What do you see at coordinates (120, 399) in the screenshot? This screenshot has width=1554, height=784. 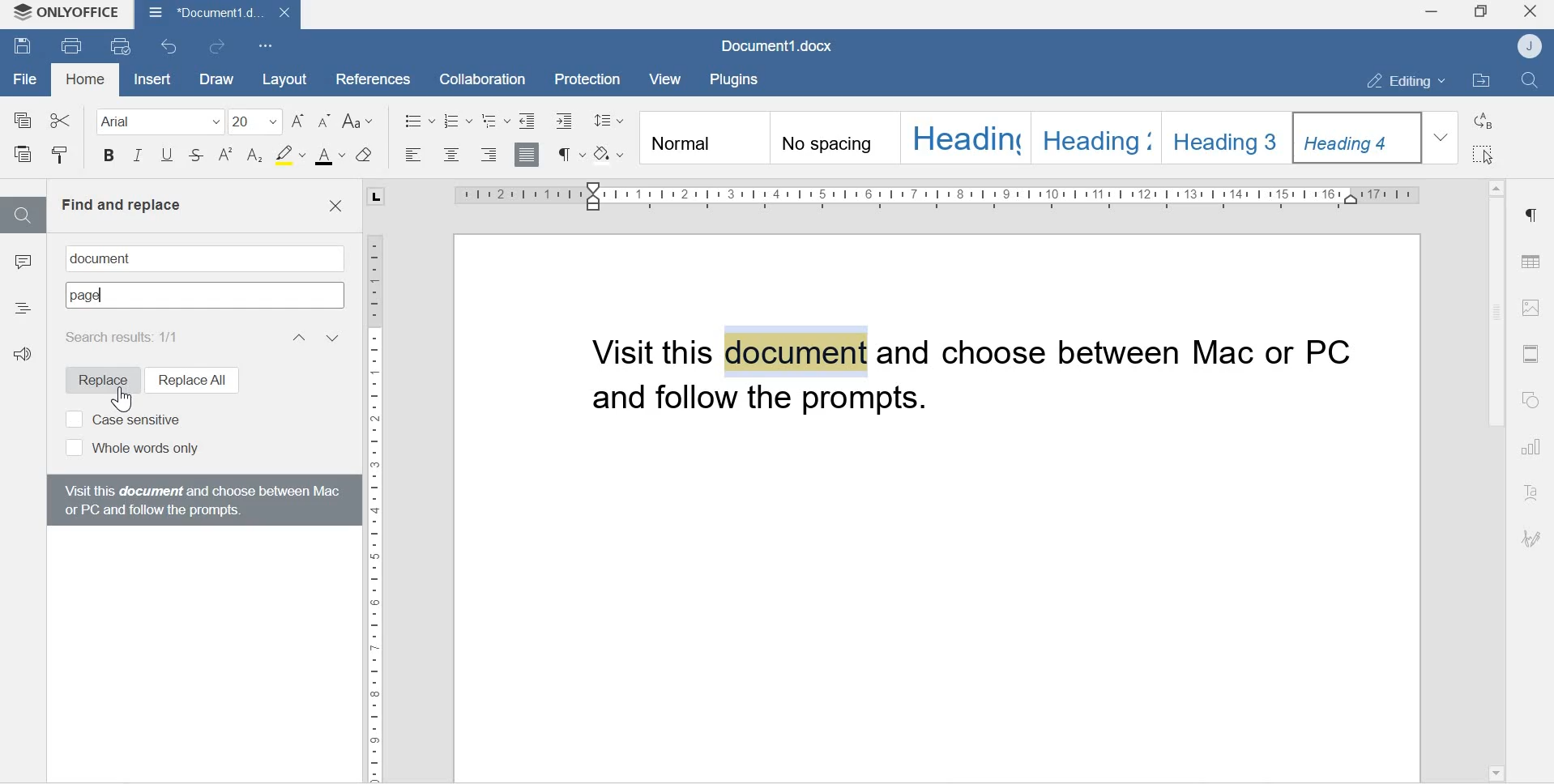 I see `cursor` at bounding box center [120, 399].